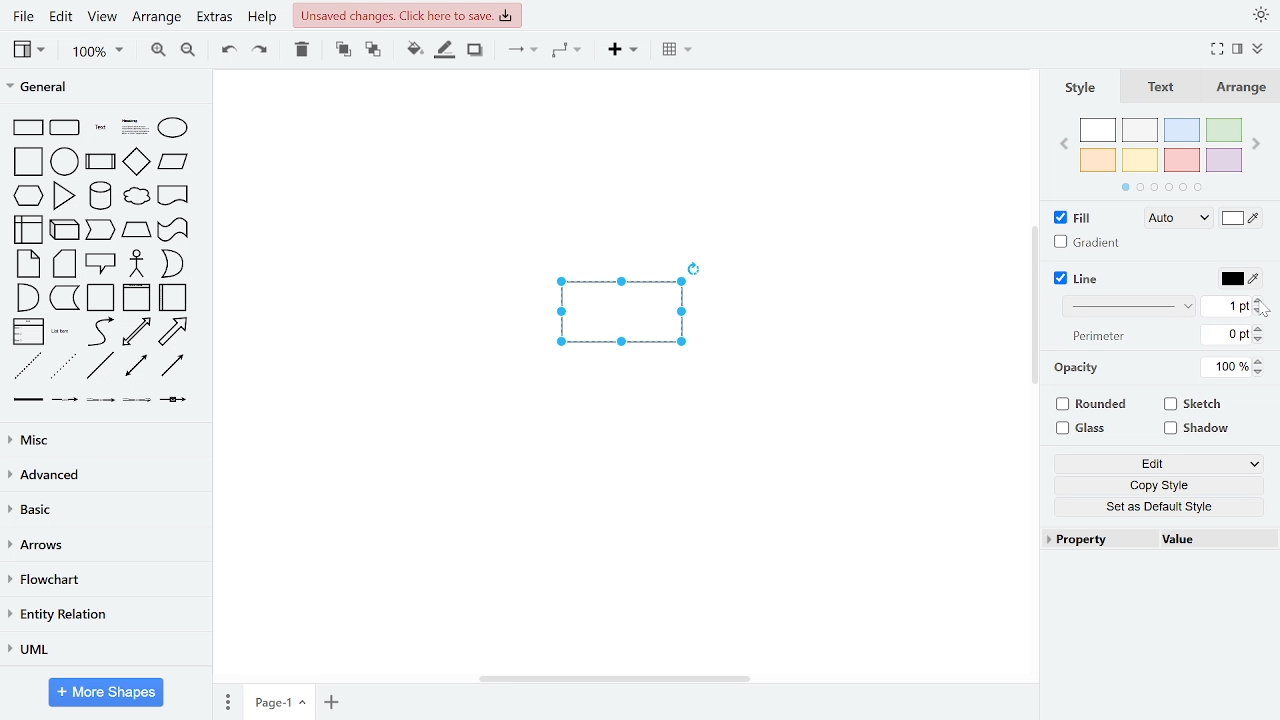 The image size is (1280, 720). Describe the element at coordinates (173, 197) in the screenshot. I see `general shapes` at that location.